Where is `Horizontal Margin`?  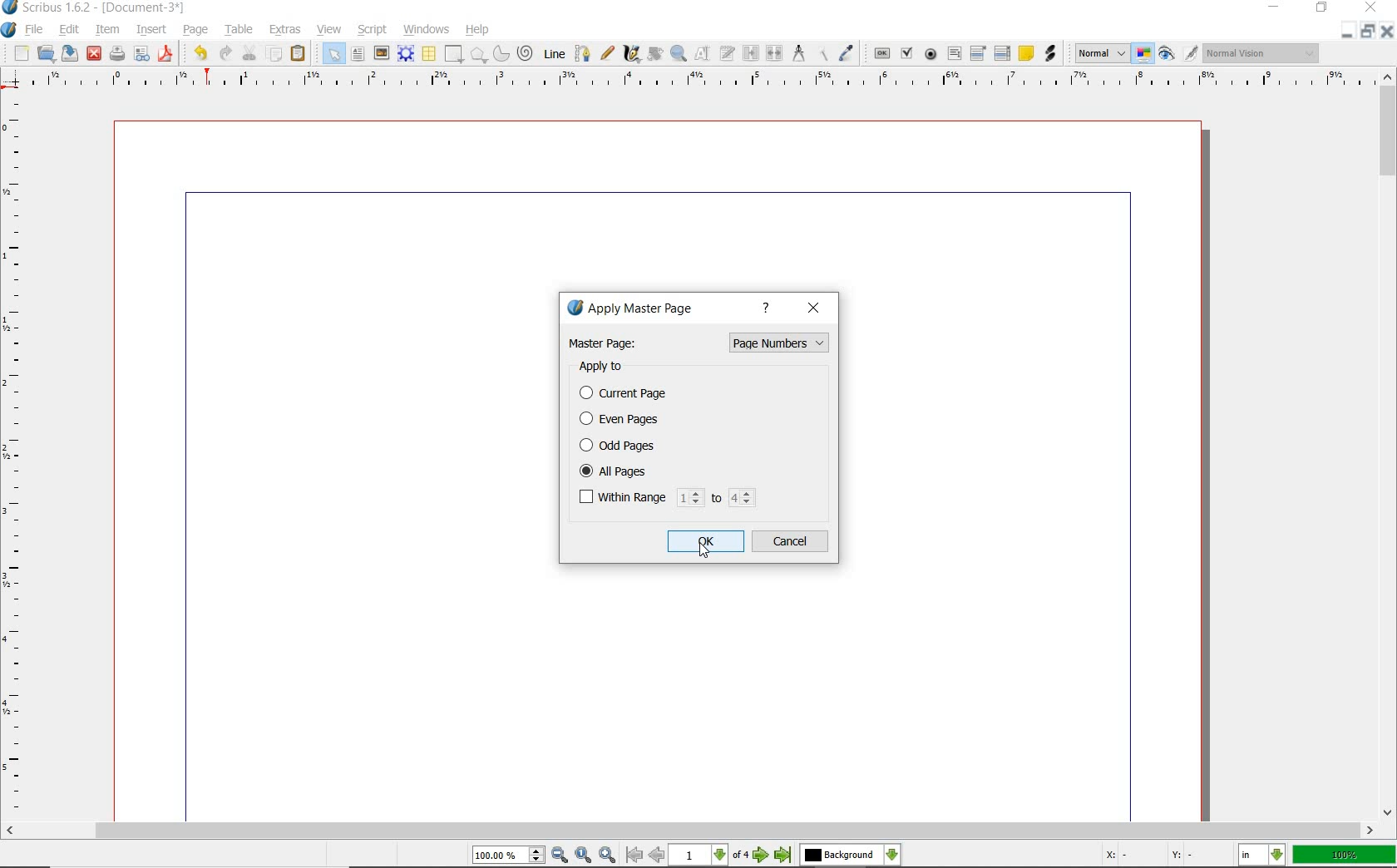 Horizontal Margin is located at coordinates (700, 81).